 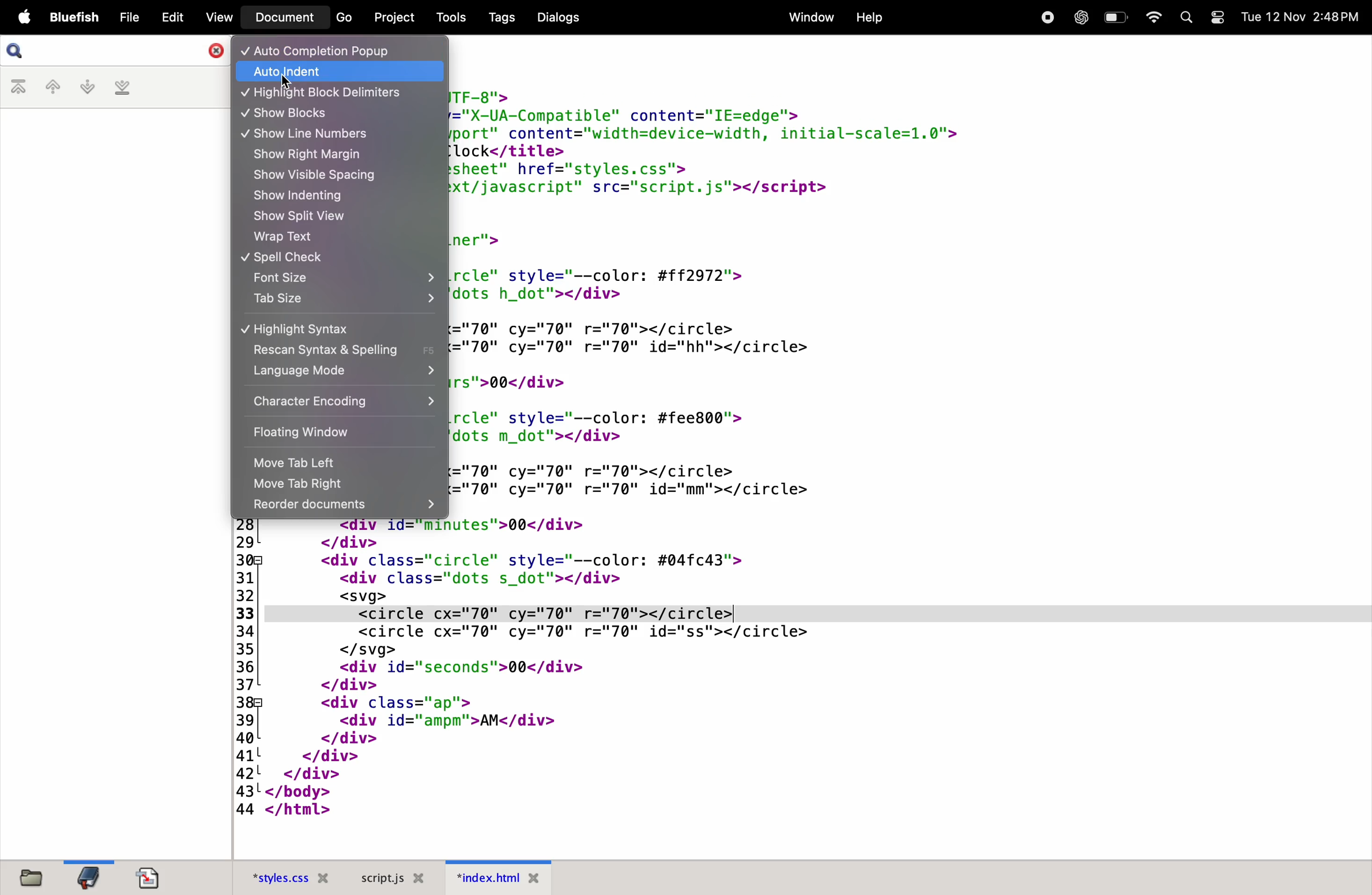 I want to click on move tab left, so click(x=344, y=460).